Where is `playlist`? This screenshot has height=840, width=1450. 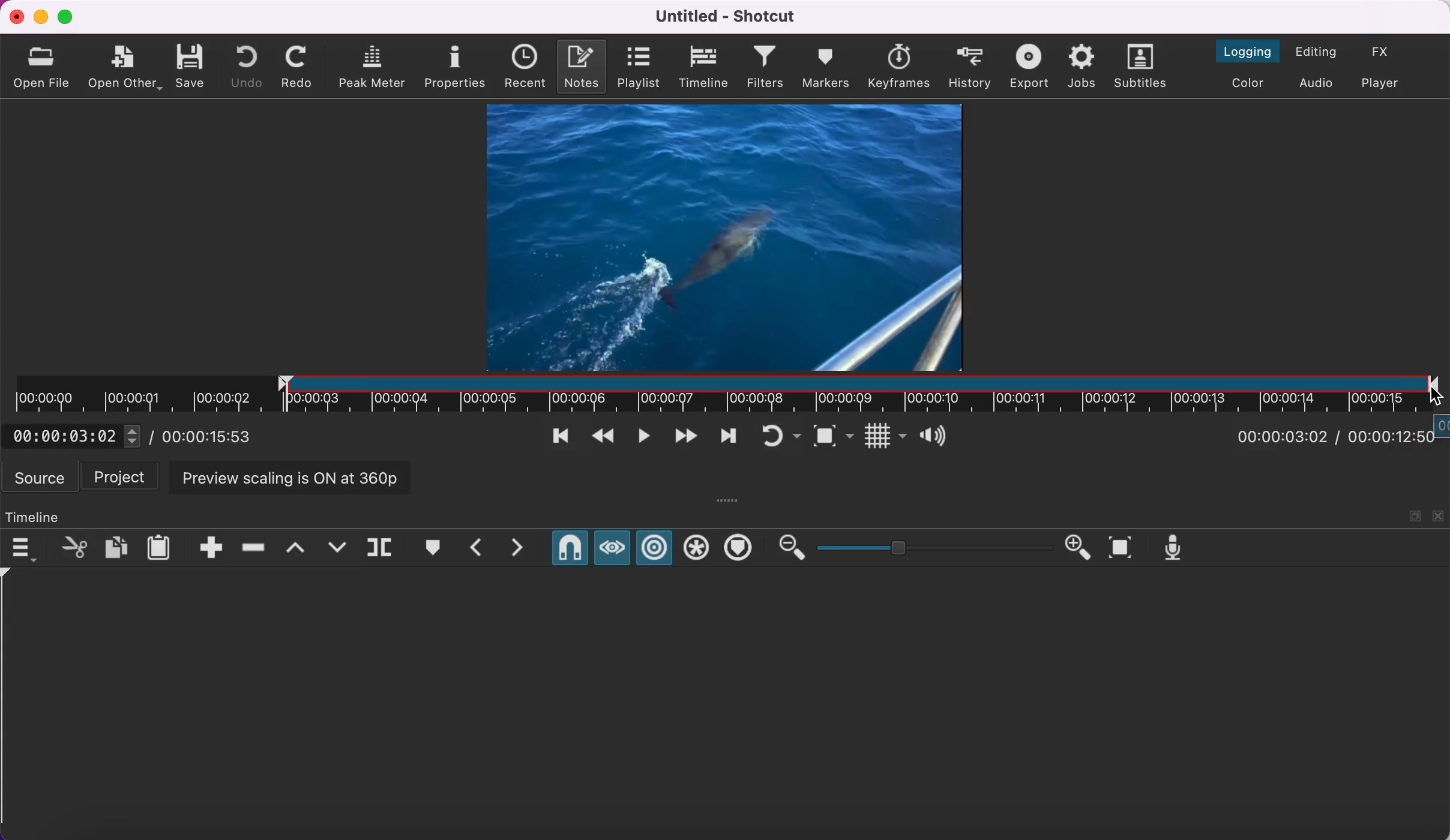
playlist is located at coordinates (640, 68).